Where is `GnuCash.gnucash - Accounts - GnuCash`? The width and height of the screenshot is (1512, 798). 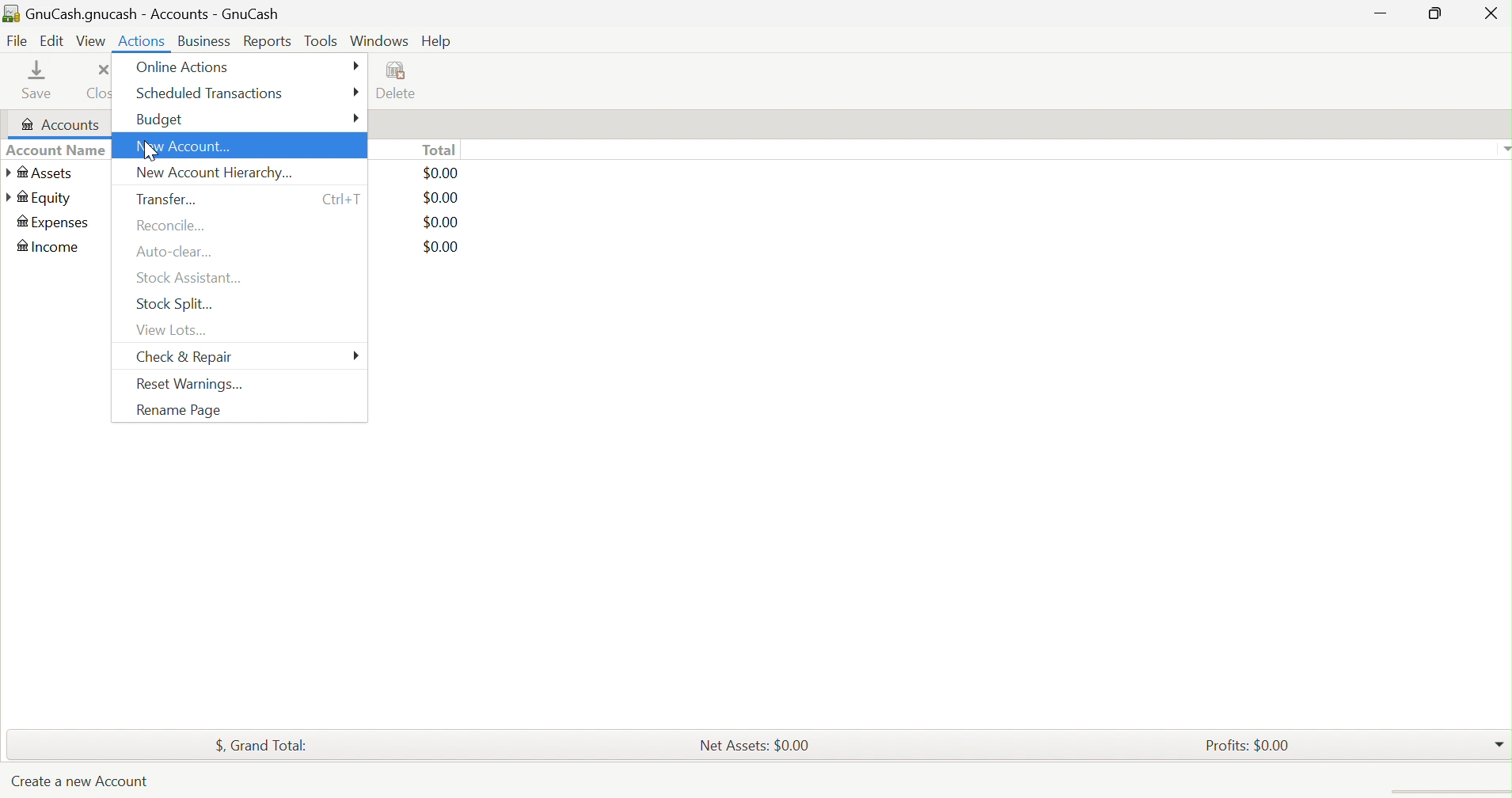 GnuCash.gnucash - Accounts - GnuCash is located at coordinates (152, 15).